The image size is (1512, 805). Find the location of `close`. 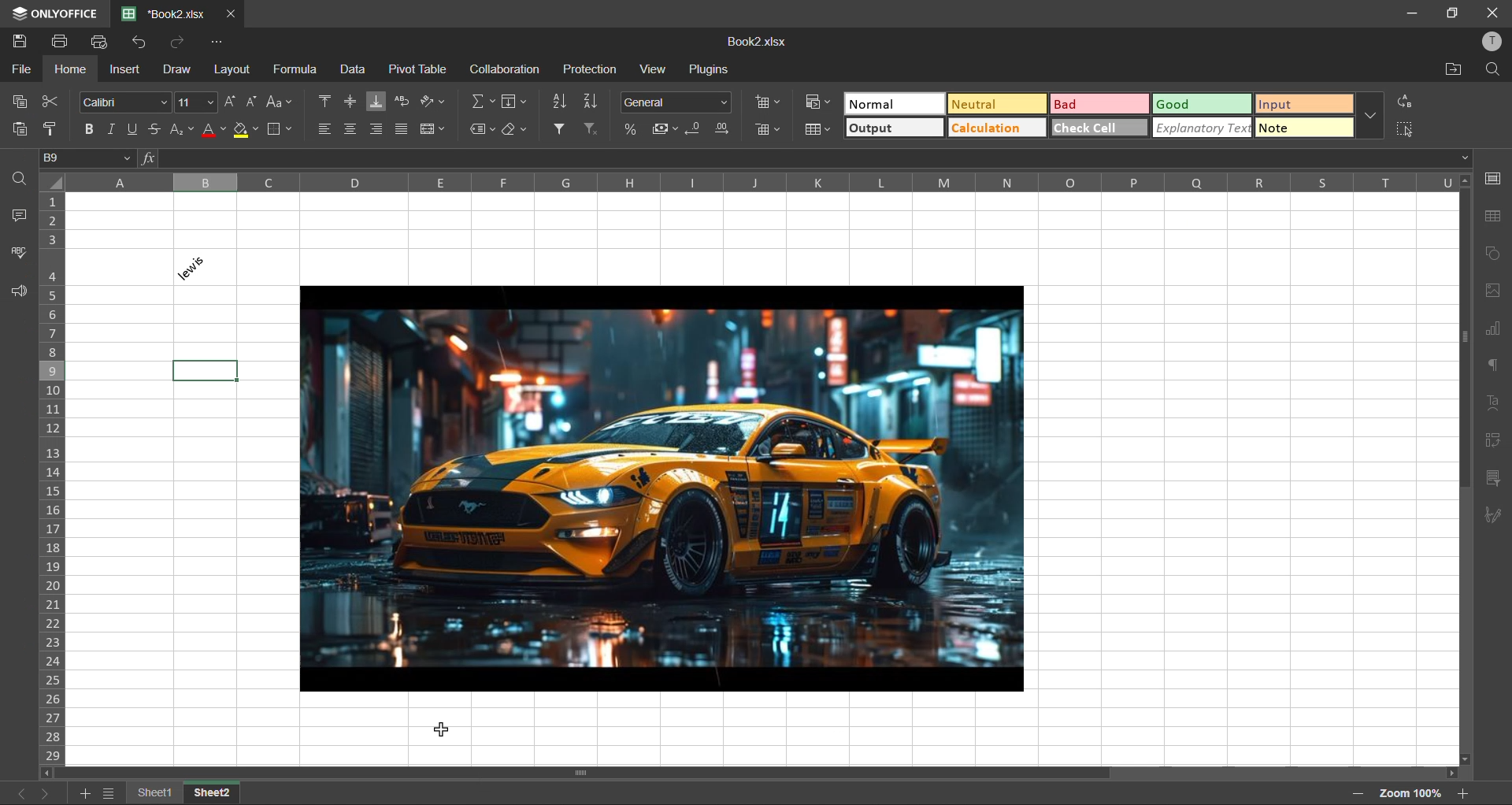

close is located at coordinates (1492, 13).